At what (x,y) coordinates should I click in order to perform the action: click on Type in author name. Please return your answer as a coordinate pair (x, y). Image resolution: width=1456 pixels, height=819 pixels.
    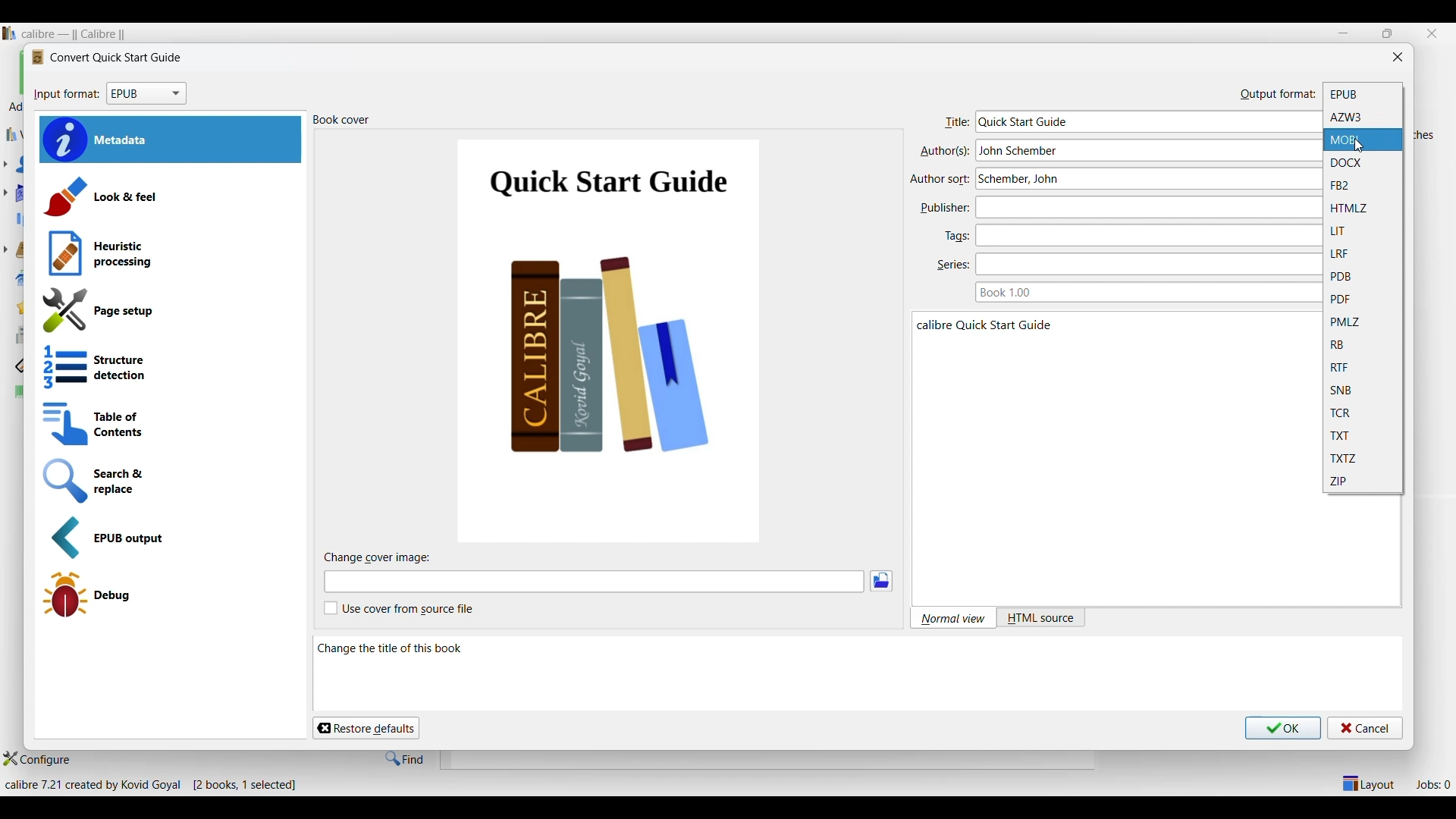
    Looking at the image, I should click on (1143, 179).